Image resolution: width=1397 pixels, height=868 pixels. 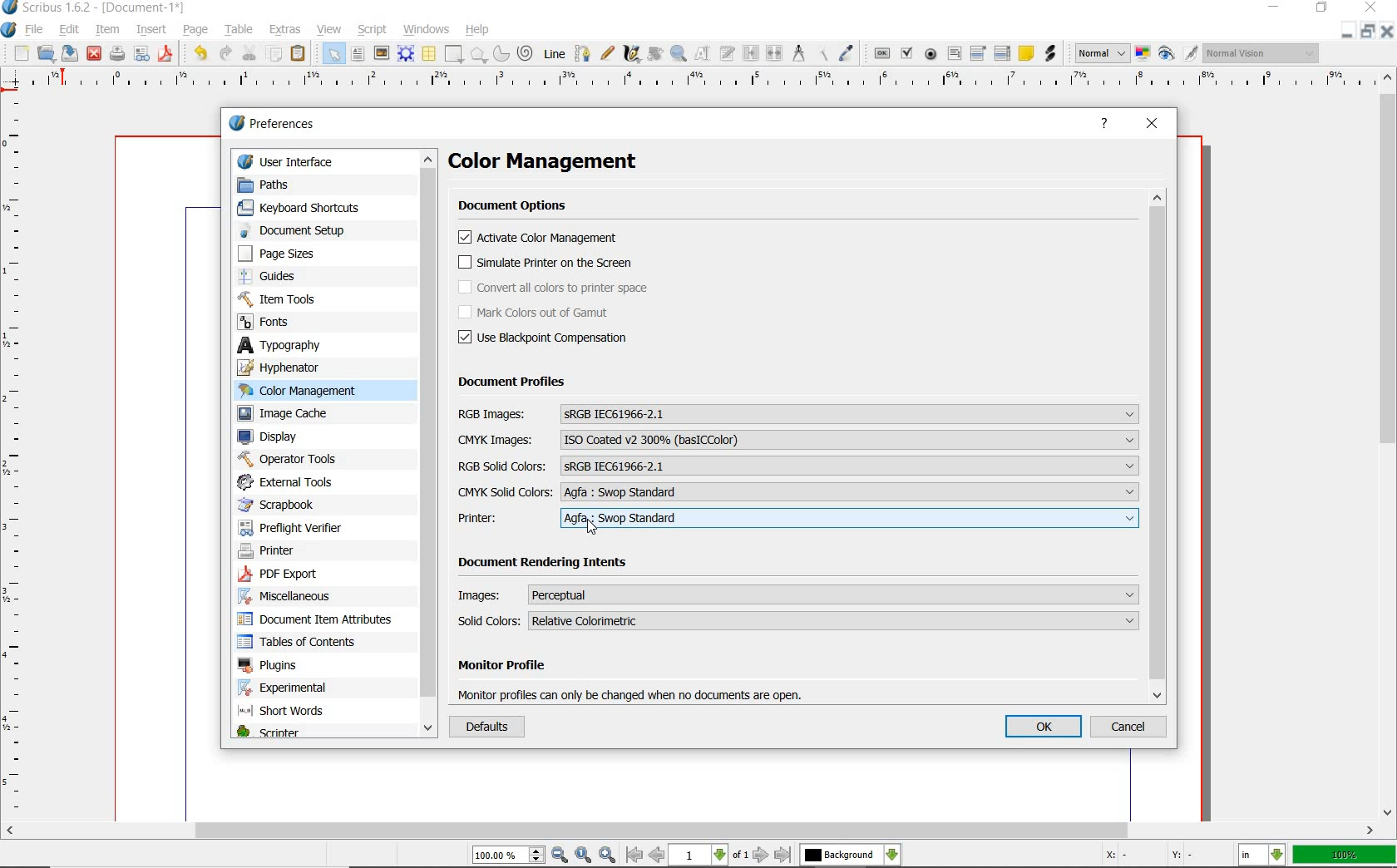 I want to click on close, so click(x=1387, y=32).